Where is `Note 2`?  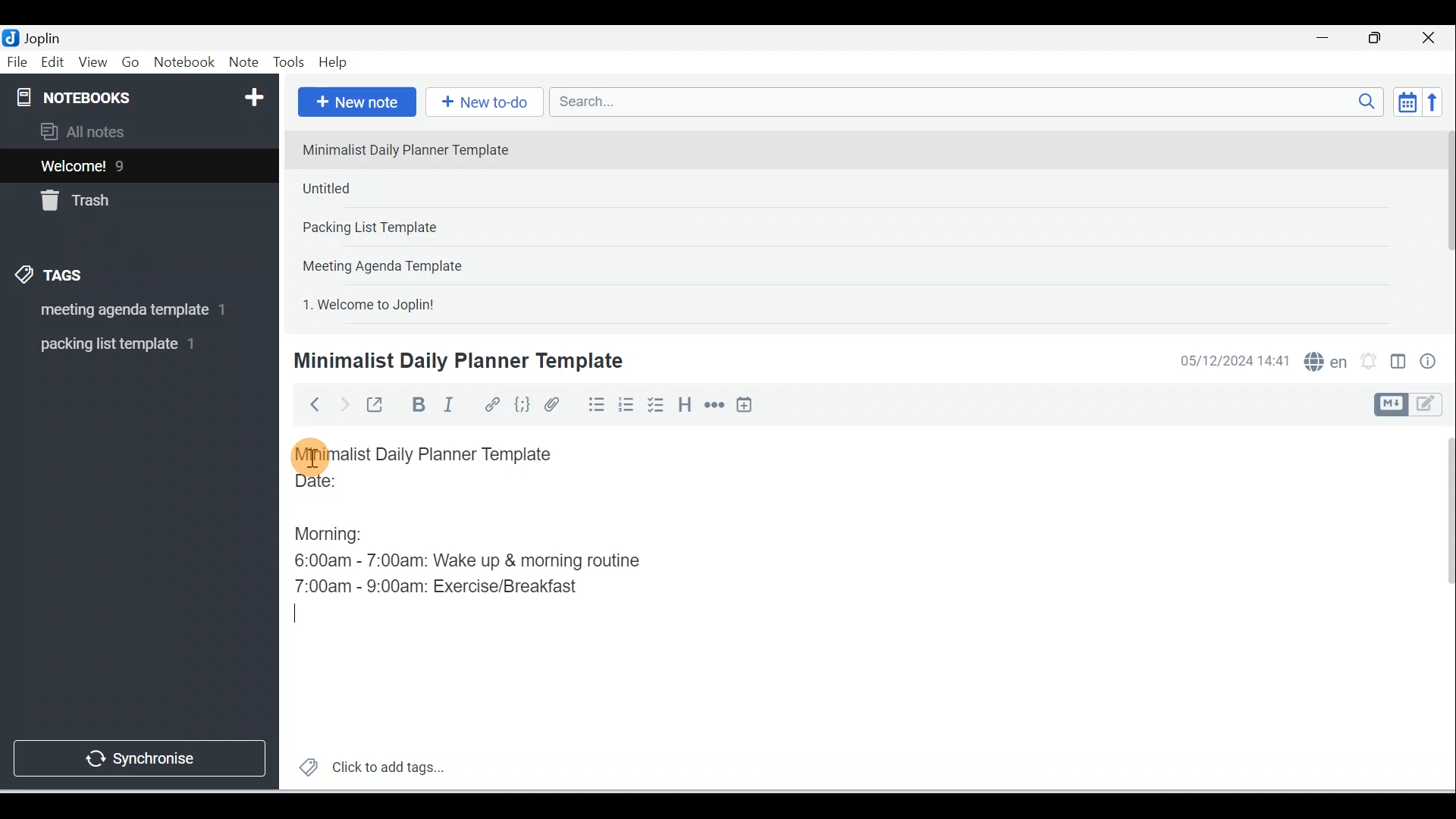 Note 2 is located at coordinates (401, 188).